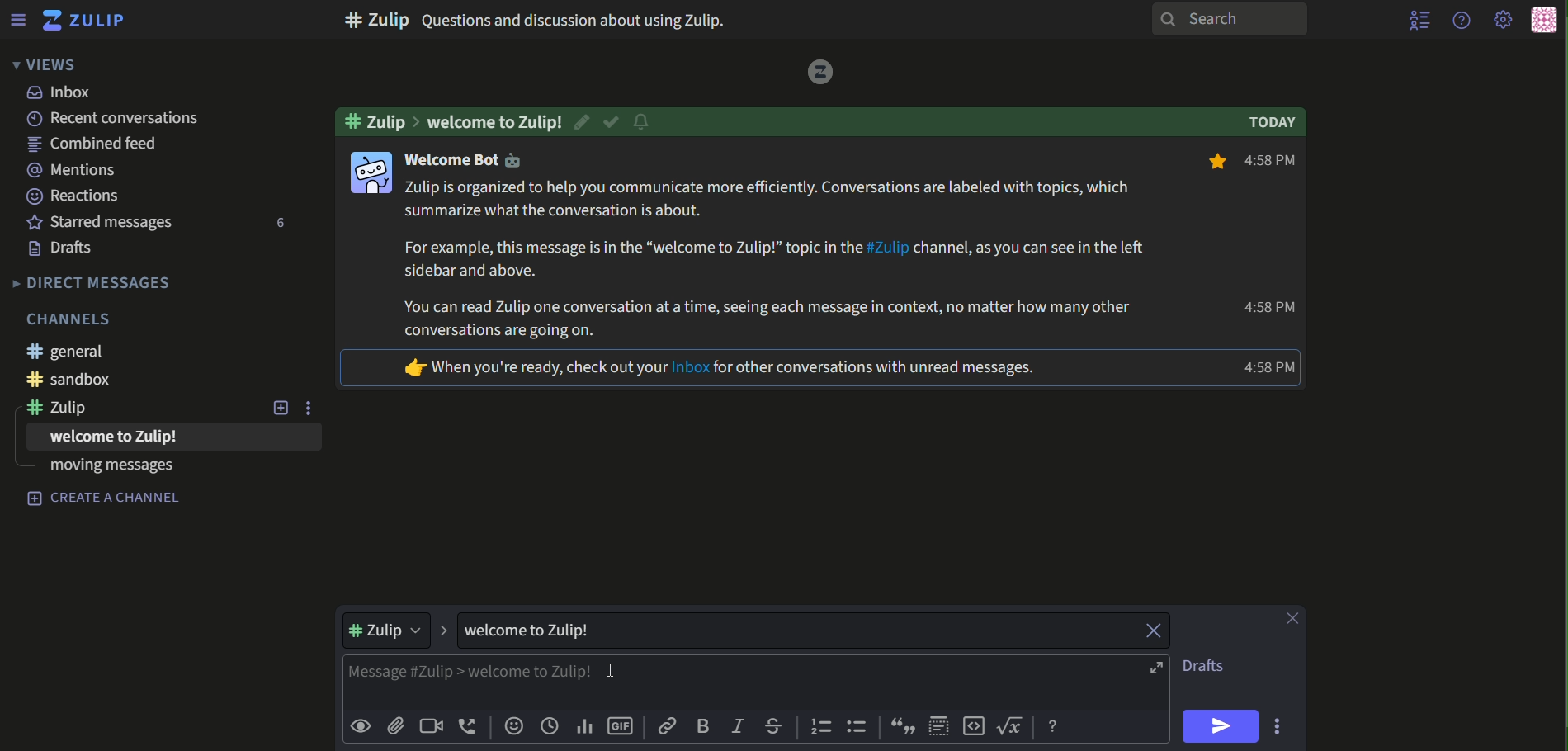 The height and width of the screenshot is (751, 1568). Describe the element at coordinates (68, 410) in the screenshot. I see `text` at that location.